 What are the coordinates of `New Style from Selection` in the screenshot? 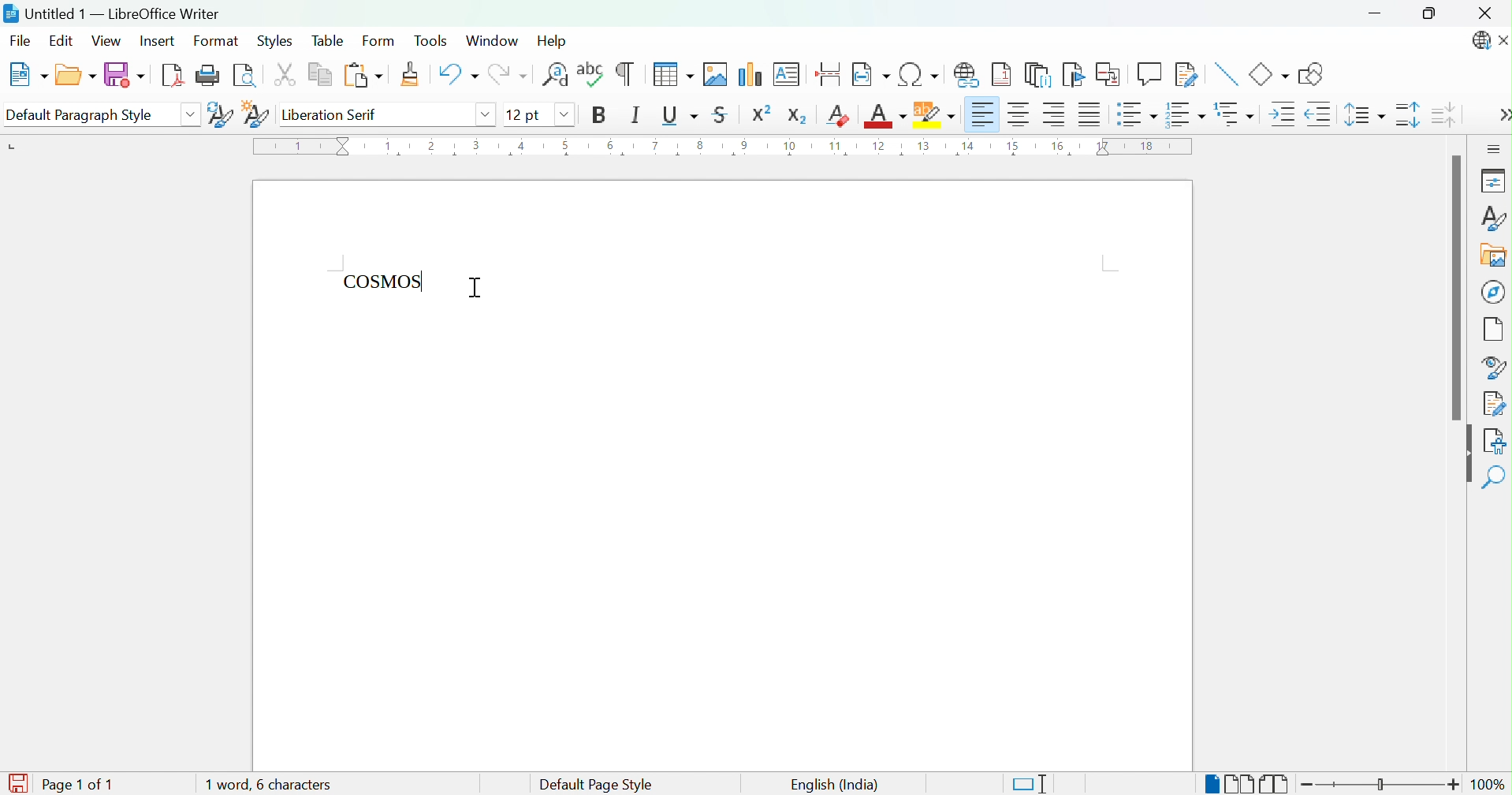 It's located at (255, 113).